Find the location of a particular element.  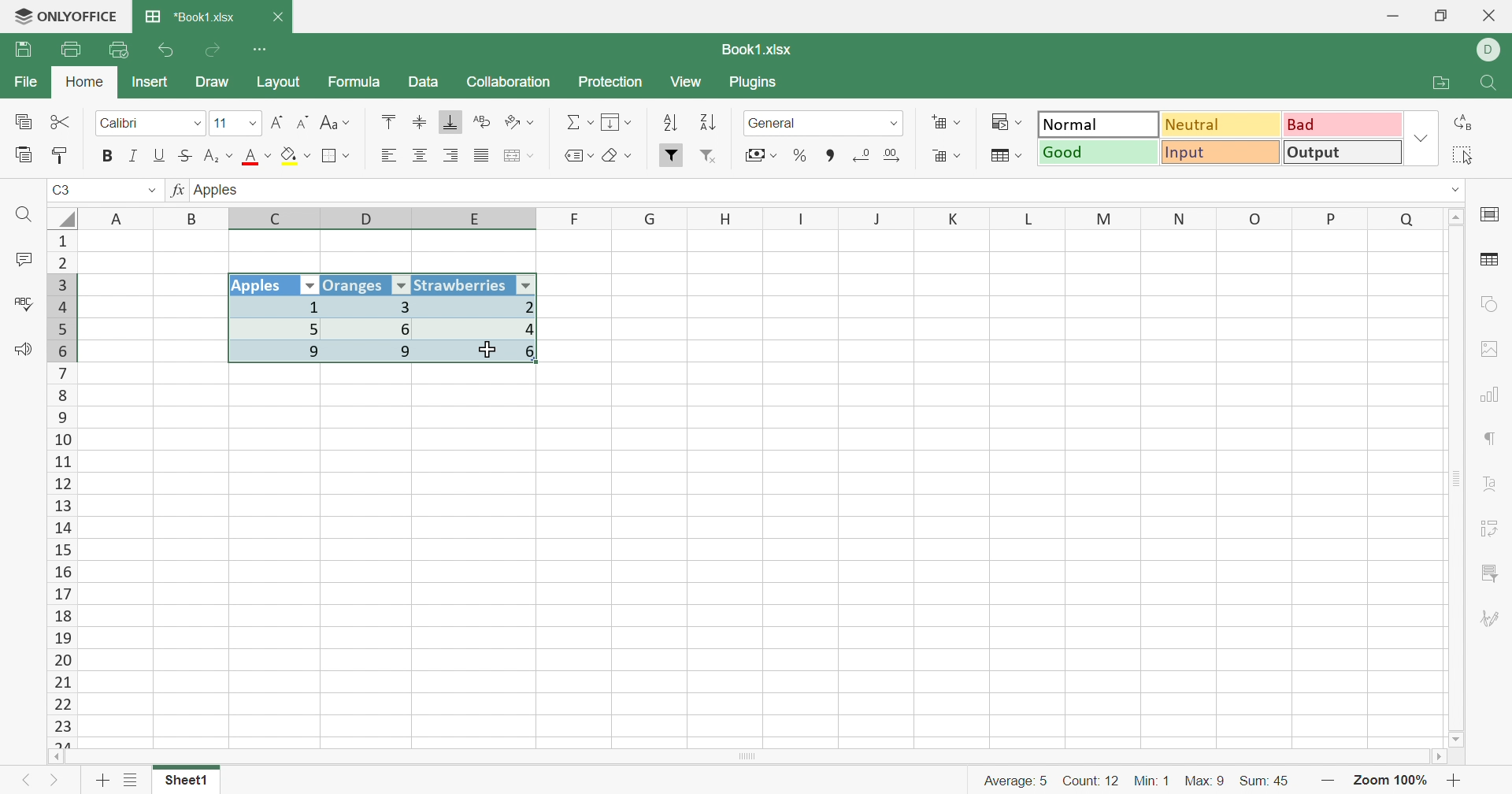

Autofilter is located at coordinates (401, 286).